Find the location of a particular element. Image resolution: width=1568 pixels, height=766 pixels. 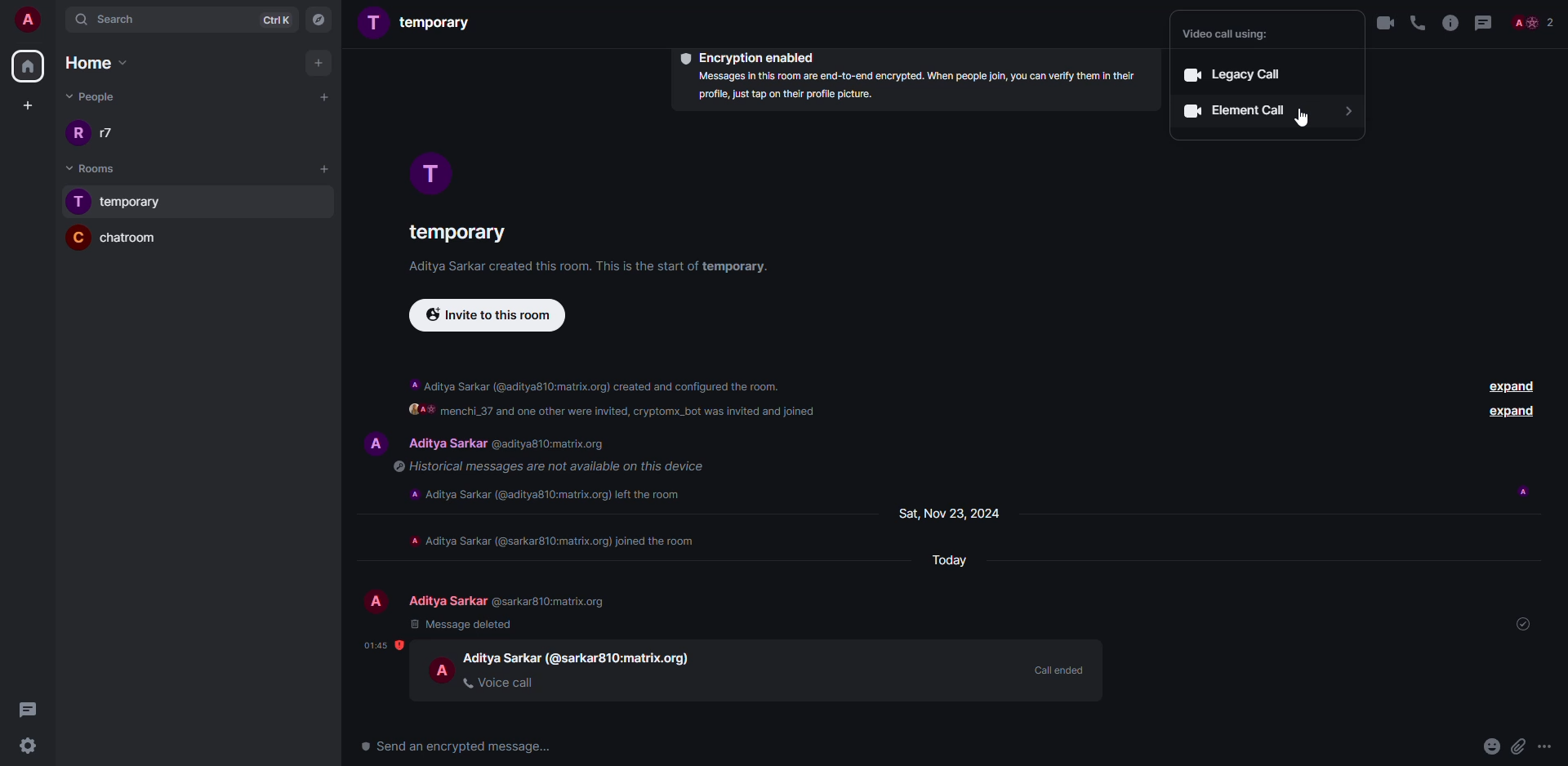

id is located at coordinates (624, 658).